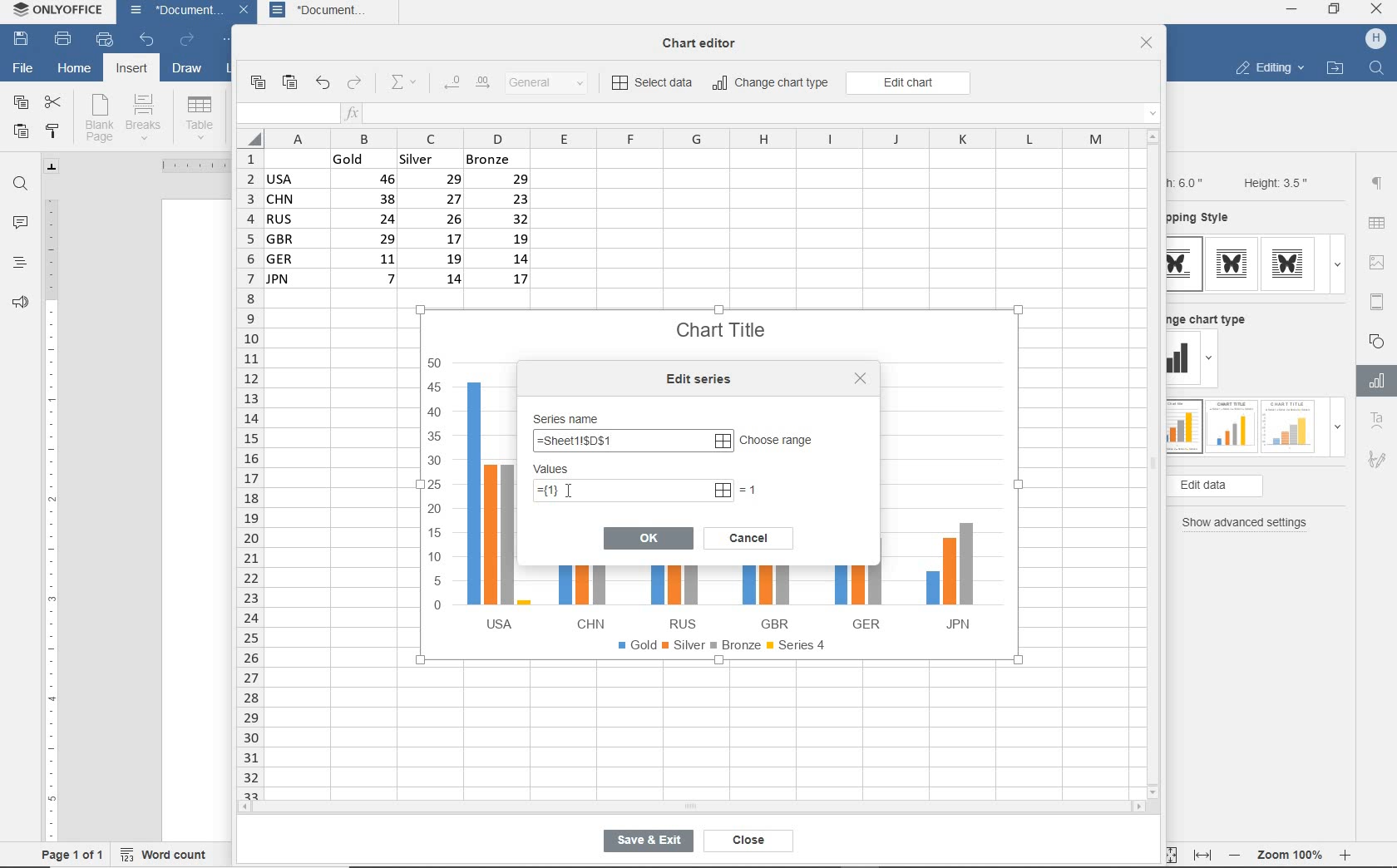  I want to click on =(1), so click(634, 491).